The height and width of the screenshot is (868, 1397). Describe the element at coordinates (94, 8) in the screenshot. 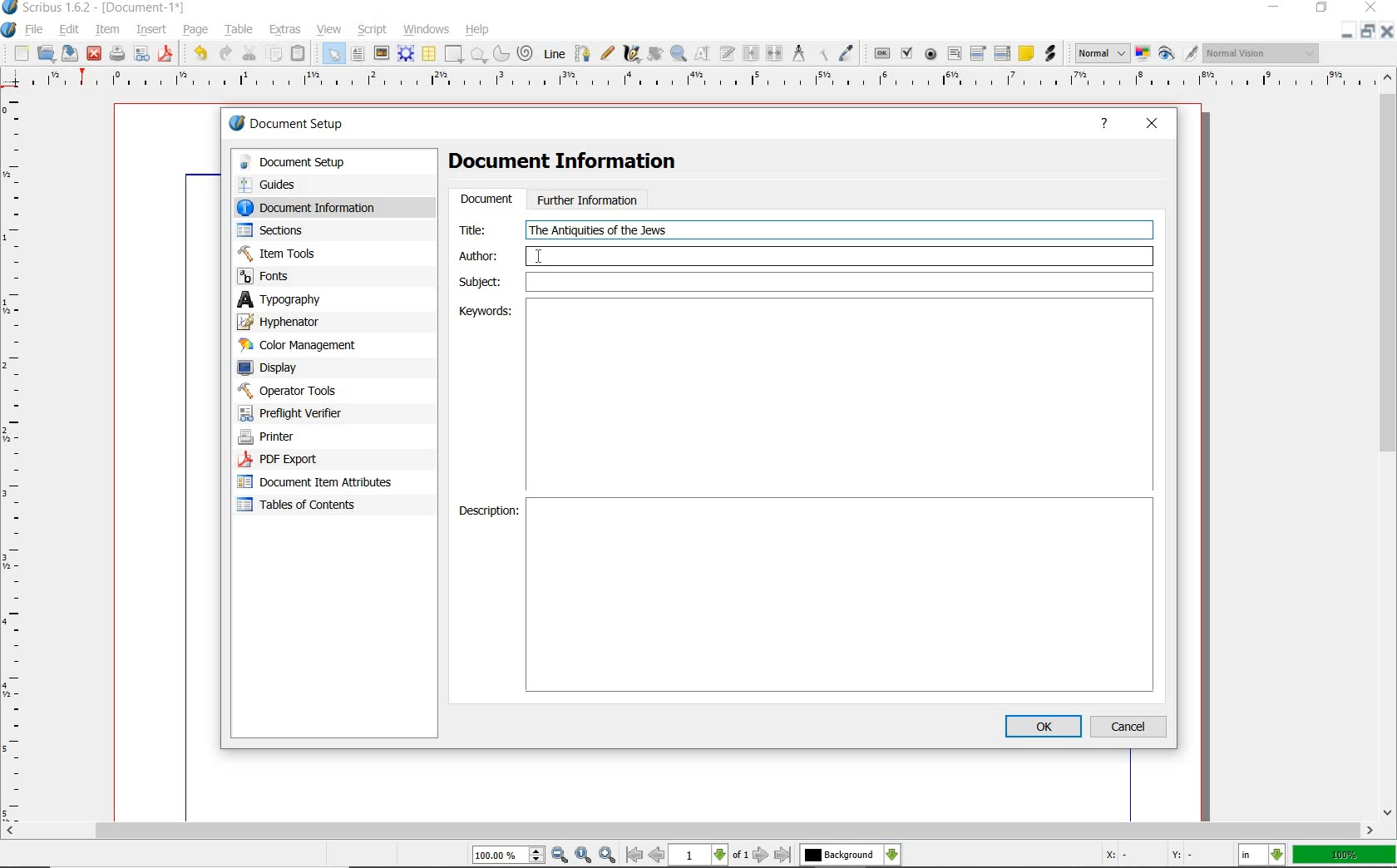

I see `system name` at that location.